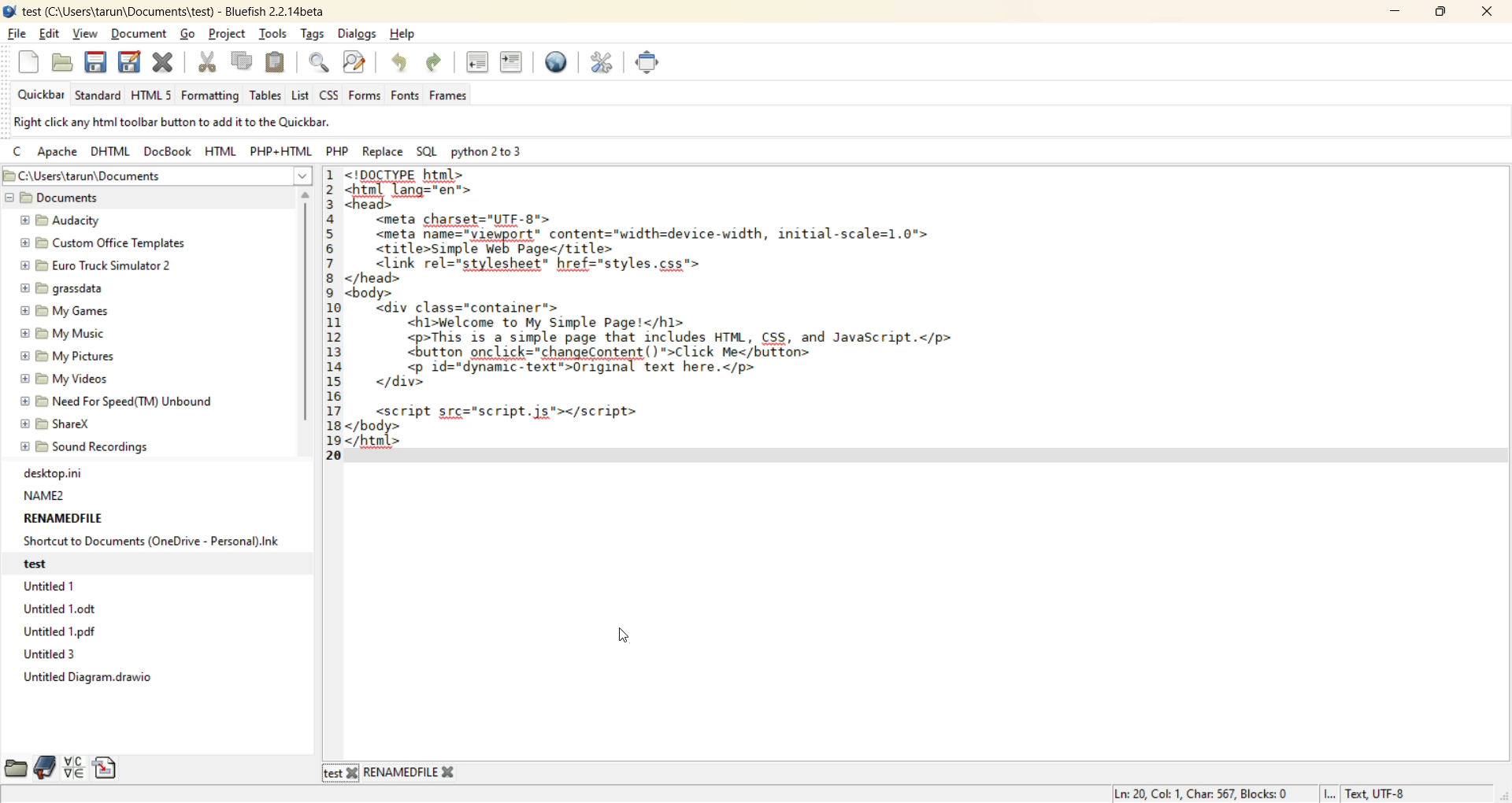 This screenshot has width=1512, height=803. I want to click on preview in browser, so click(561, 65).